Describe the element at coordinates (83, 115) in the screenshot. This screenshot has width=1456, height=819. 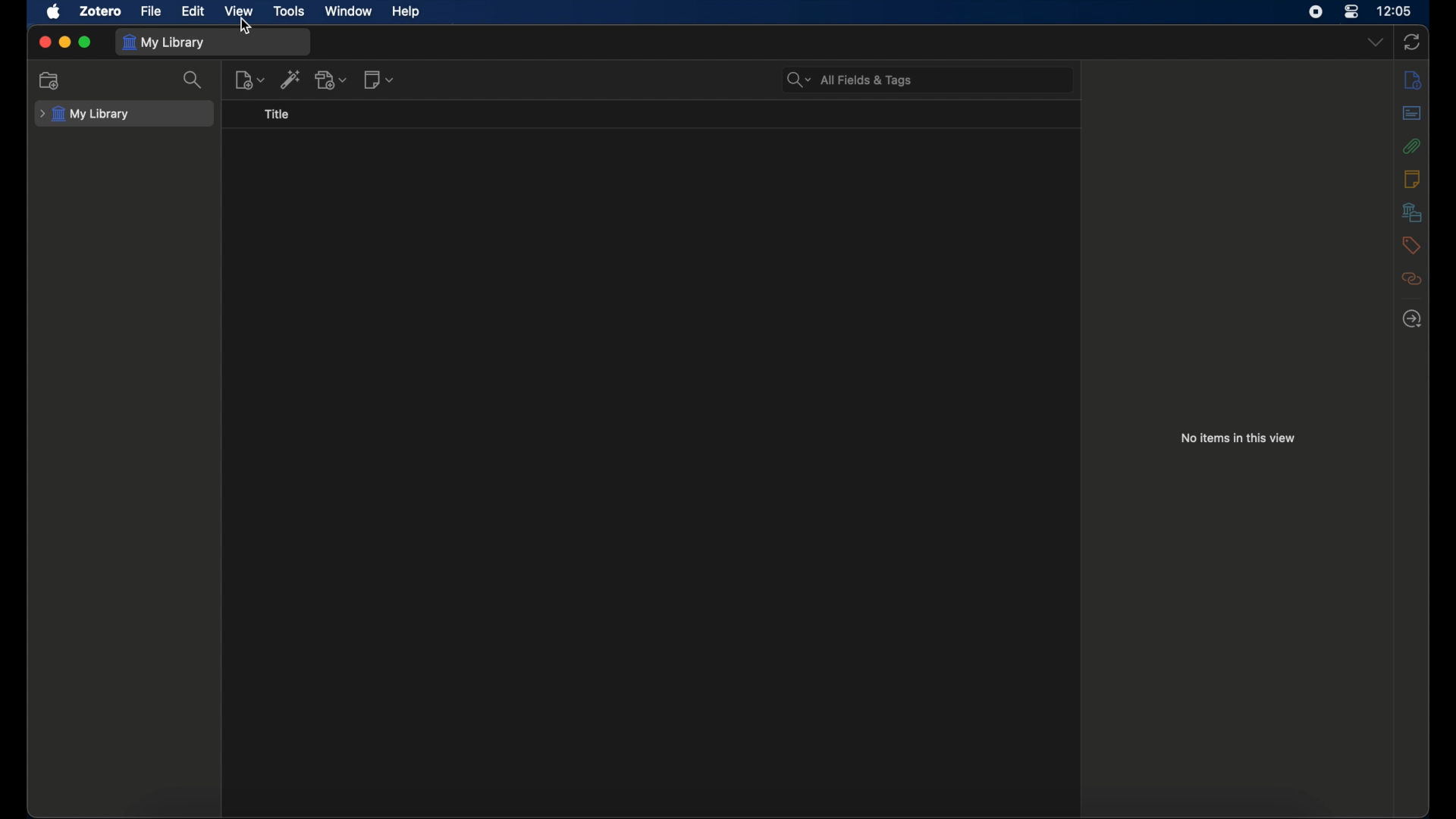
I see `my library` at that location.